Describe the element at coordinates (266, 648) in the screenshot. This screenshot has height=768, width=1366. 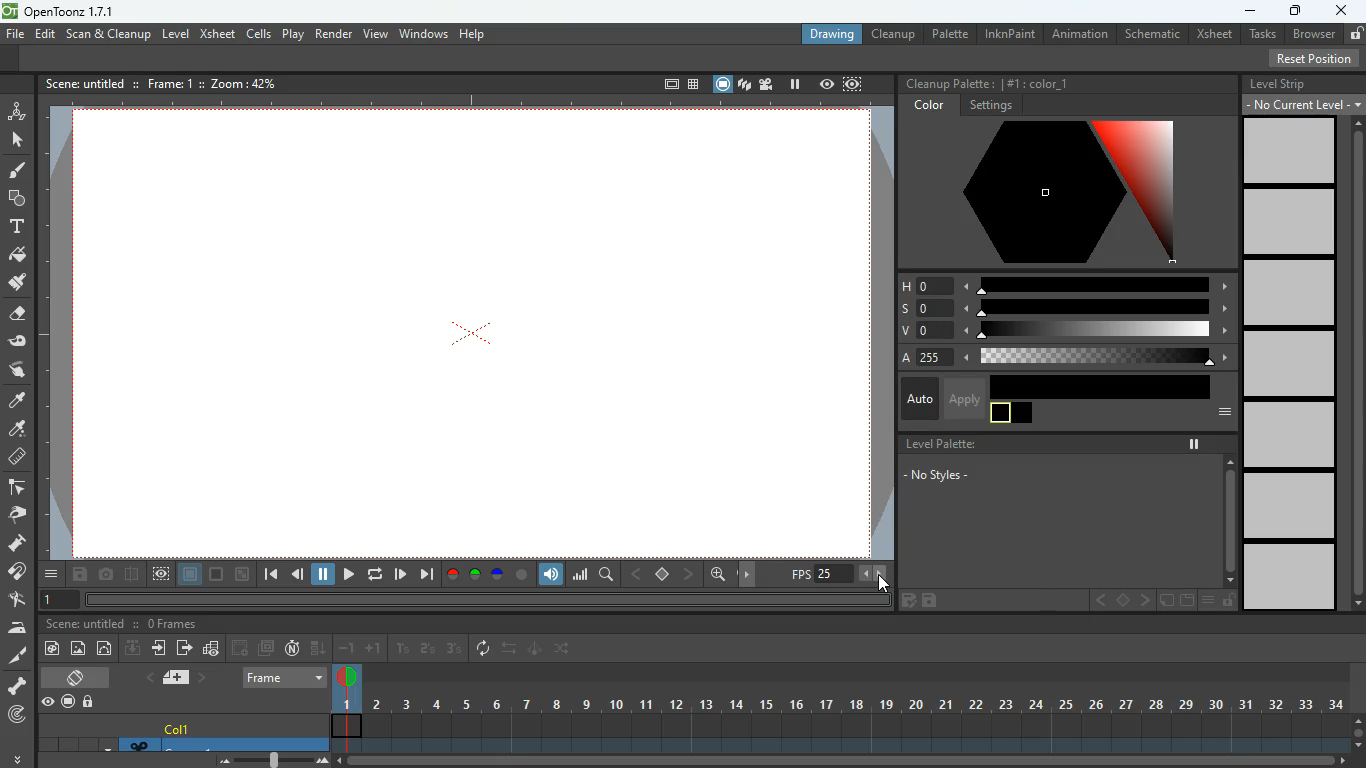
I see `multiscreen` at that location.